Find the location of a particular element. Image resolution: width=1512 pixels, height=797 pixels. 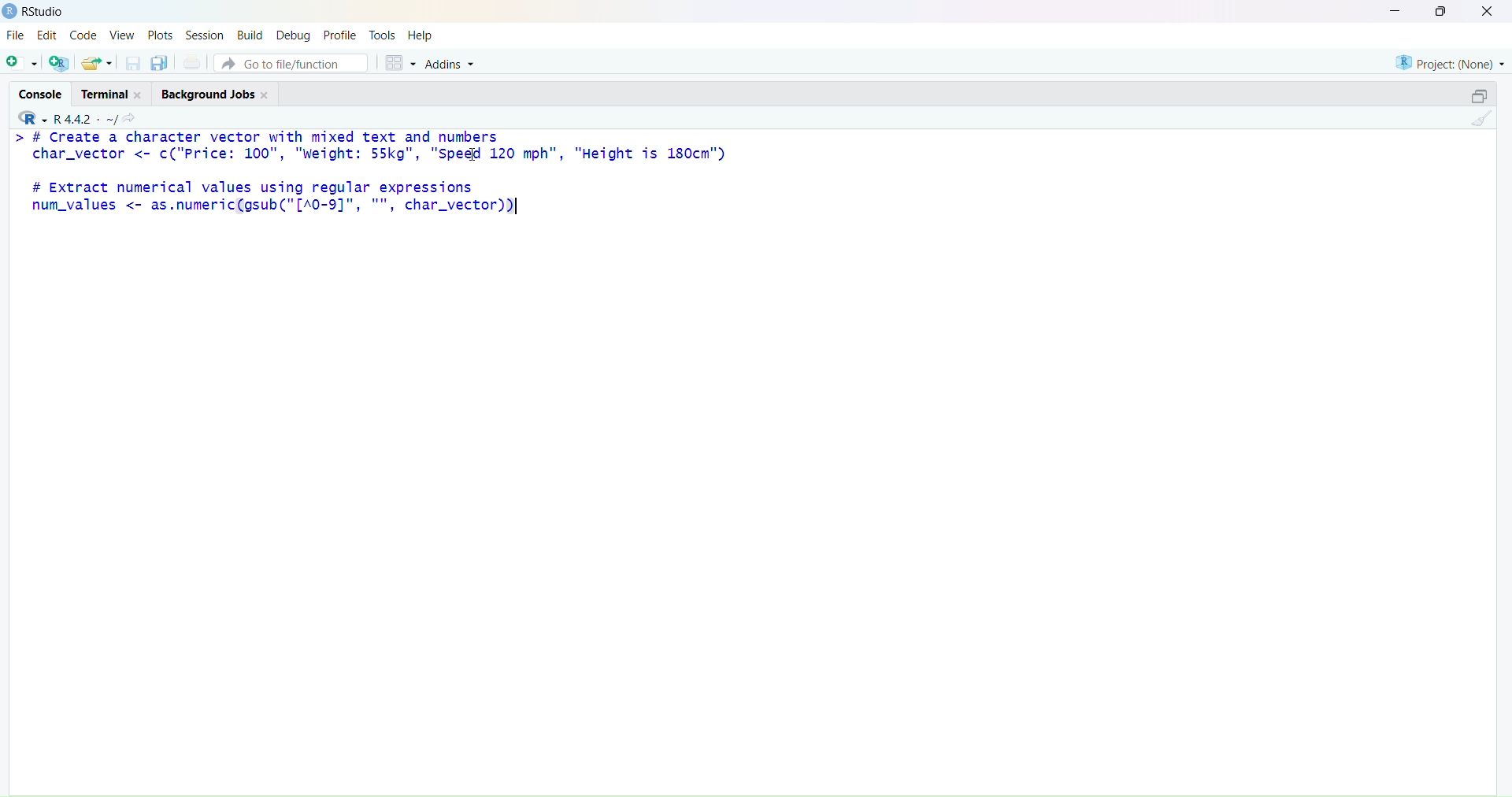

project (none) is located at coordinates (1451, 63).